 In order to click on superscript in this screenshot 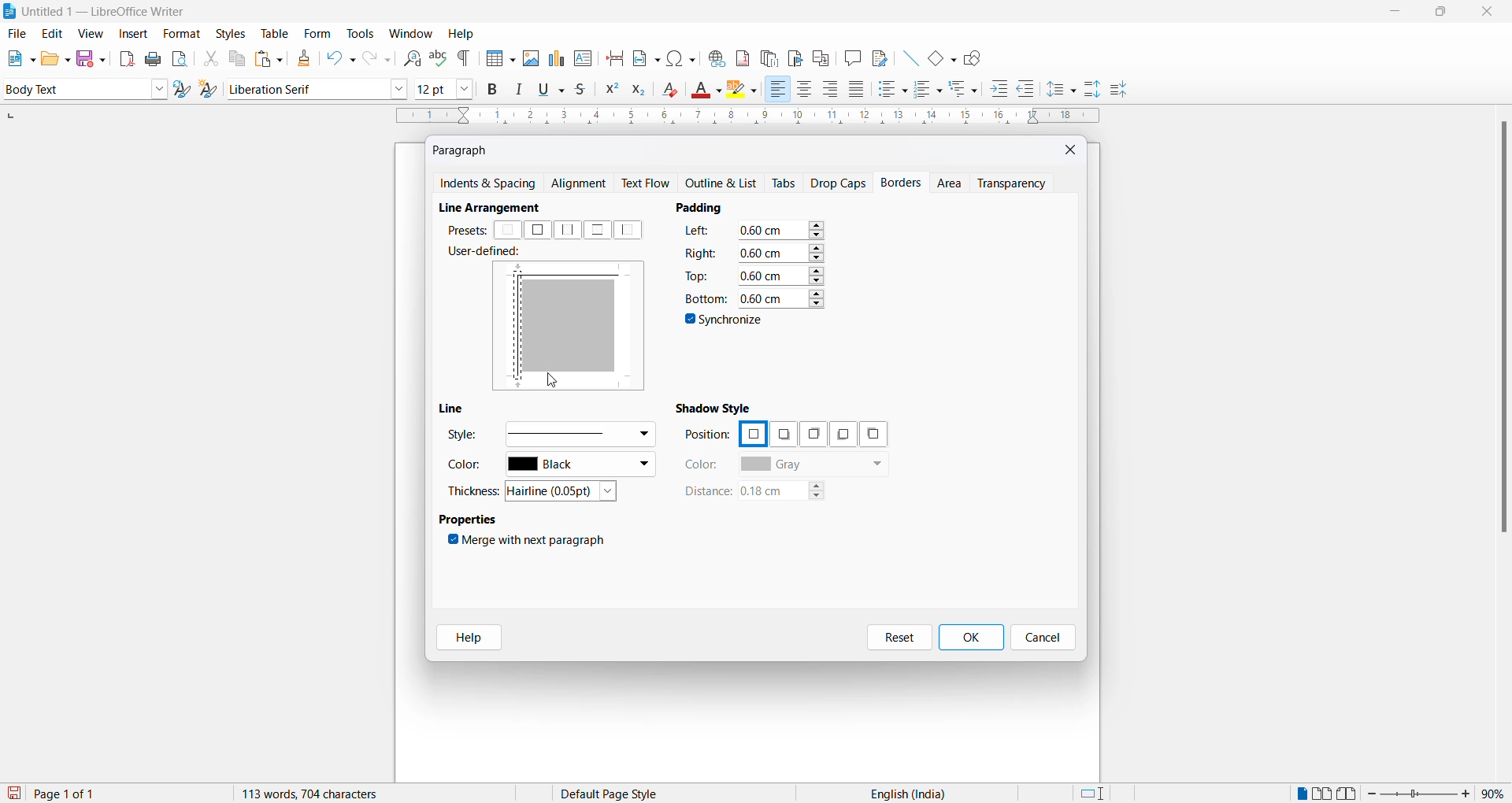, I will do `click(610, 91)`.